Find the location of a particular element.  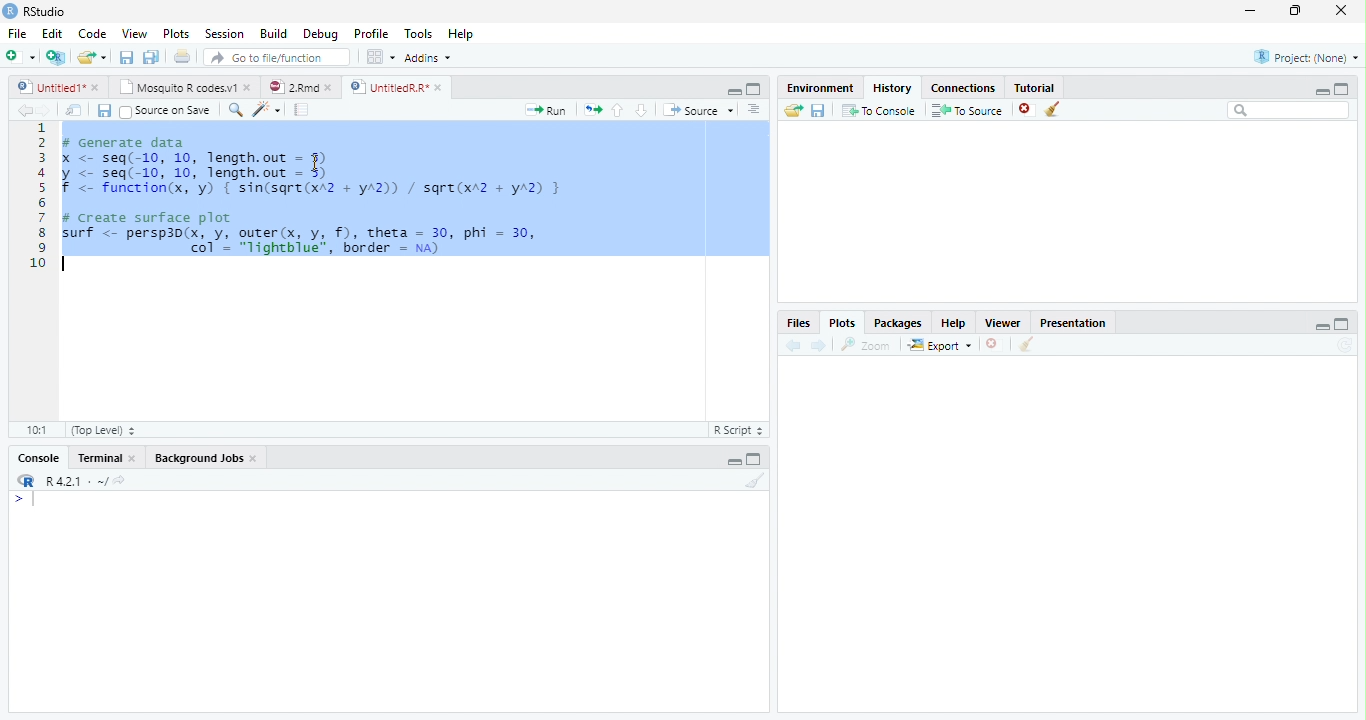

Save all open documents is located at coordinates (150, 56).